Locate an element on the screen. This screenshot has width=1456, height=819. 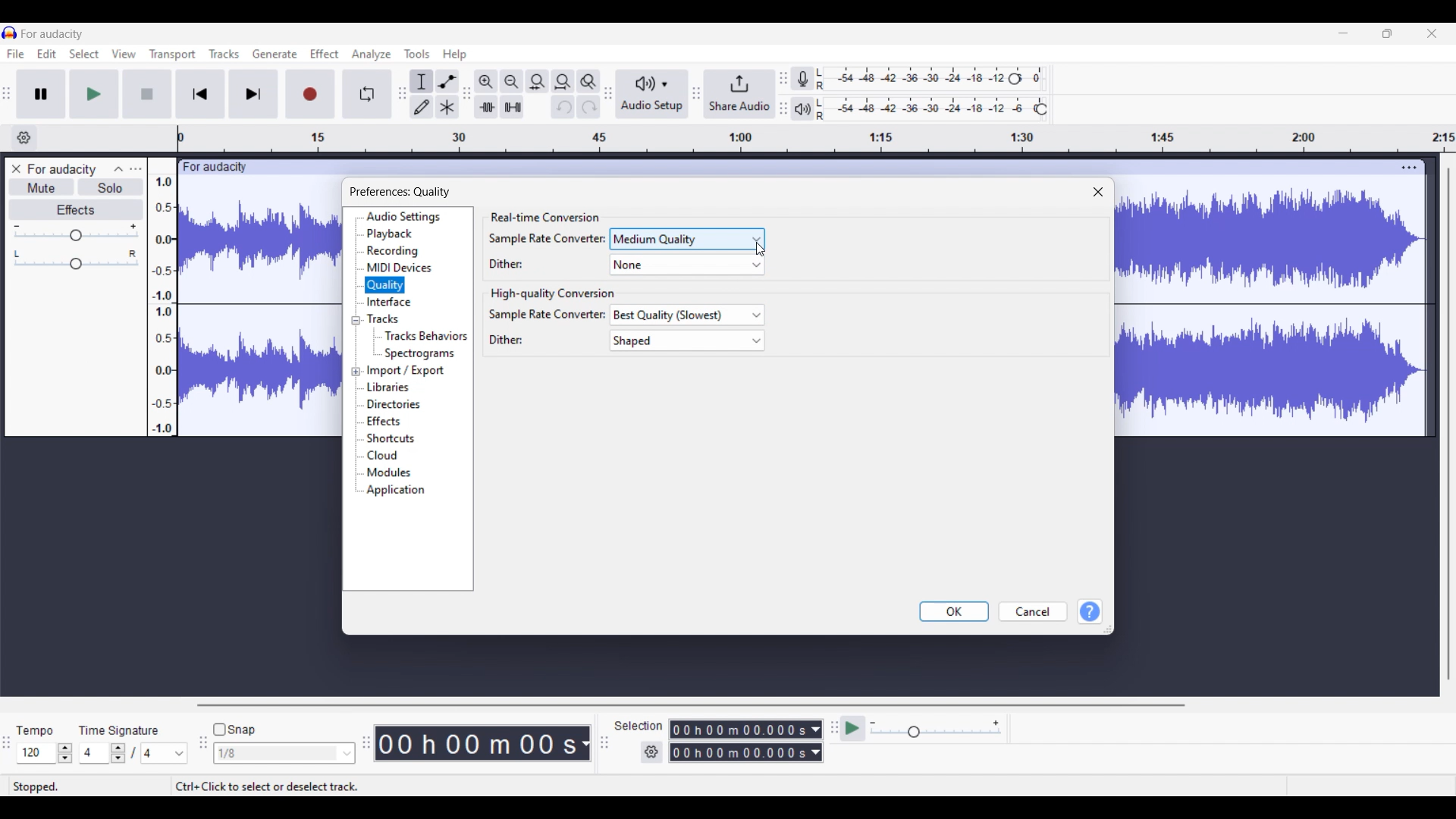
Minimize is located at coordinates (1344, 33).